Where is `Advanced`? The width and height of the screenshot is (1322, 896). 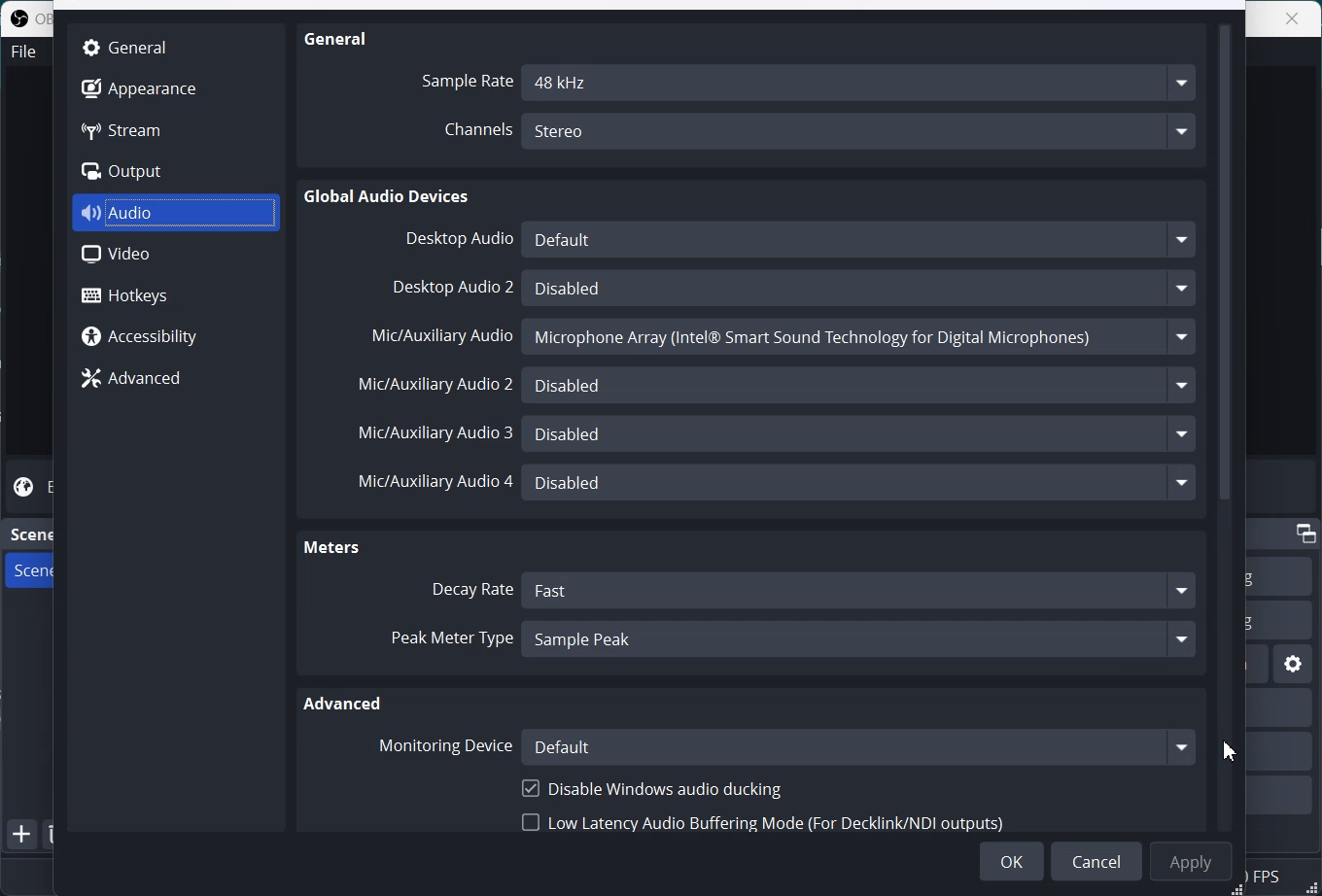
Advanced is located at coordinates (175, 377).